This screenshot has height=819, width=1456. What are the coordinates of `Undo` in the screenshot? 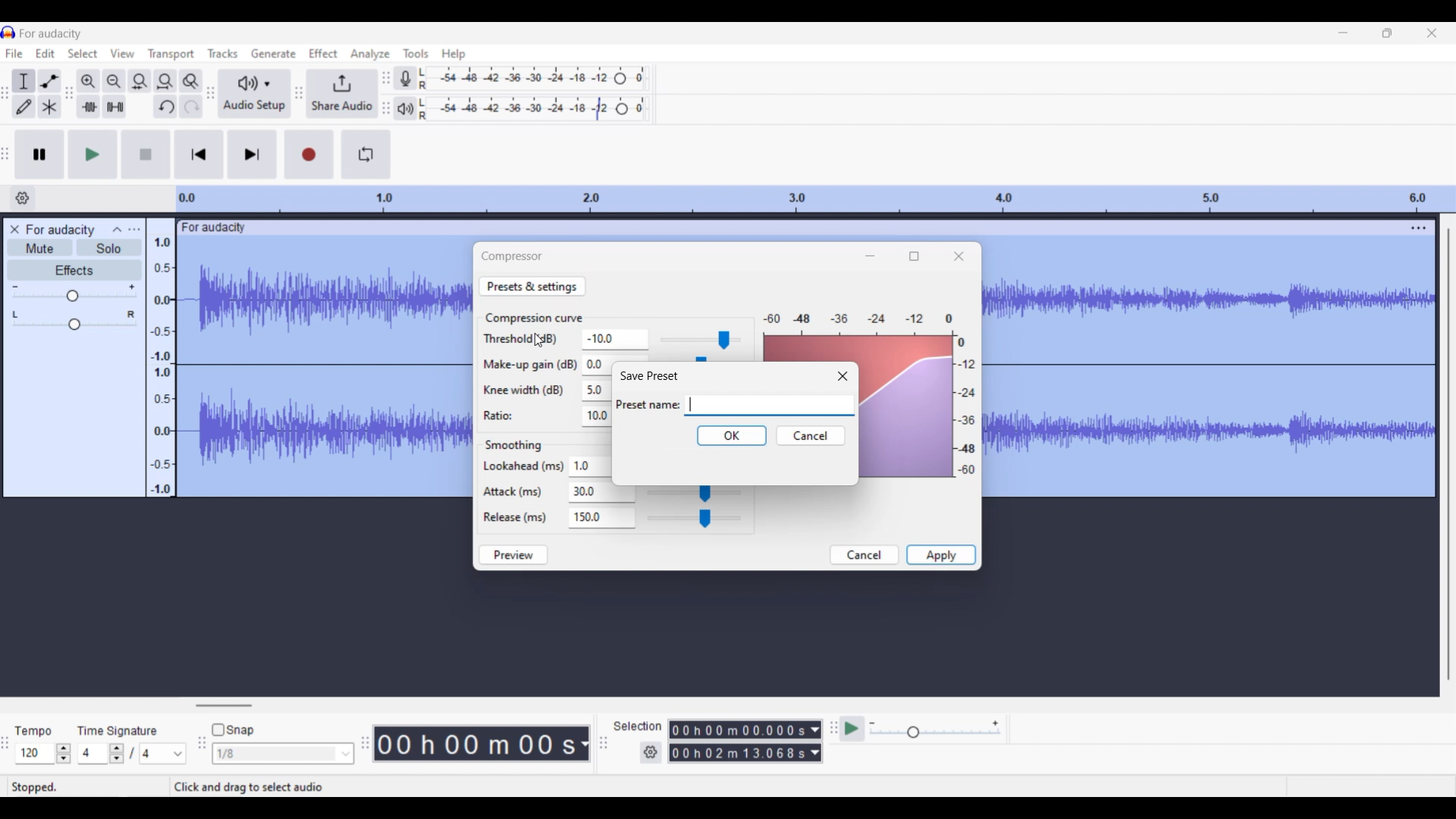 It's located at (165, 106).